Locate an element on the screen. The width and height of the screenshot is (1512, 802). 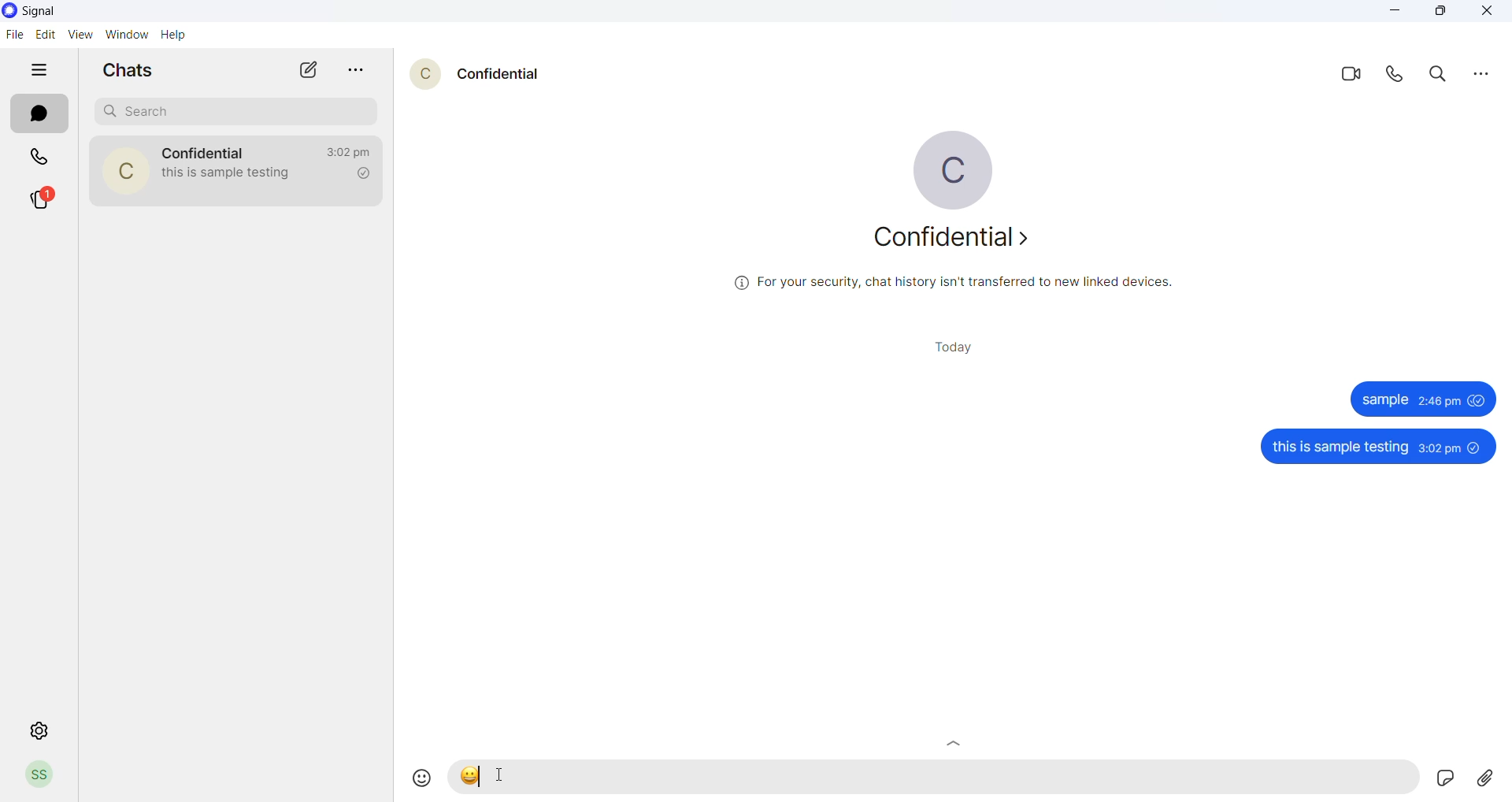
Scroll up is located at coordinates (956, 742).